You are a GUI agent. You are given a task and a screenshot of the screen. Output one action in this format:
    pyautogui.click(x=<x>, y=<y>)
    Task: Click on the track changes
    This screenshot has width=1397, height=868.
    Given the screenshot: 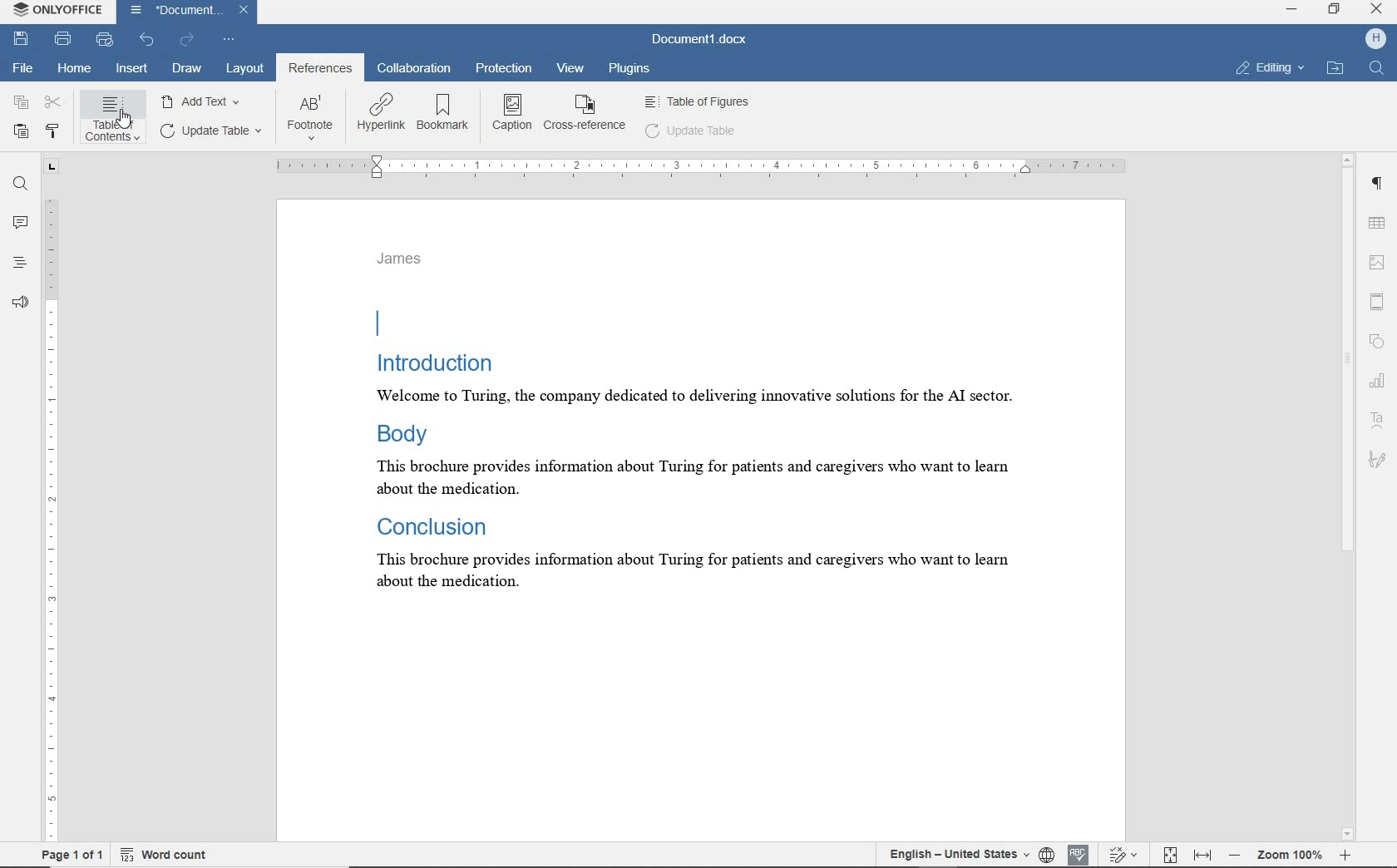 What is the action you would take?
    pyautogui.click(x=1124, y=855)
    